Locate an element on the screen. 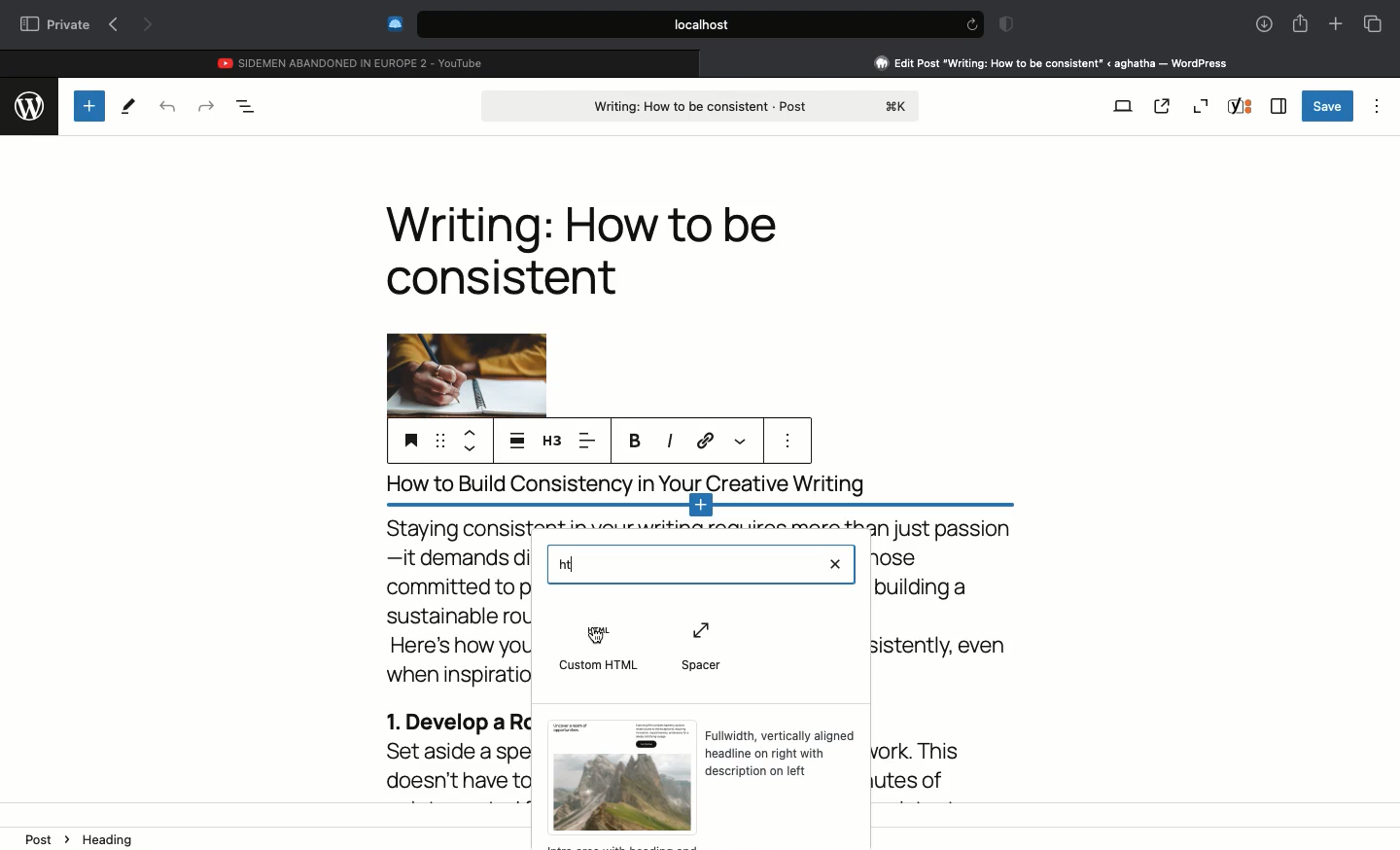  Image is located at coordinates (466, 371).